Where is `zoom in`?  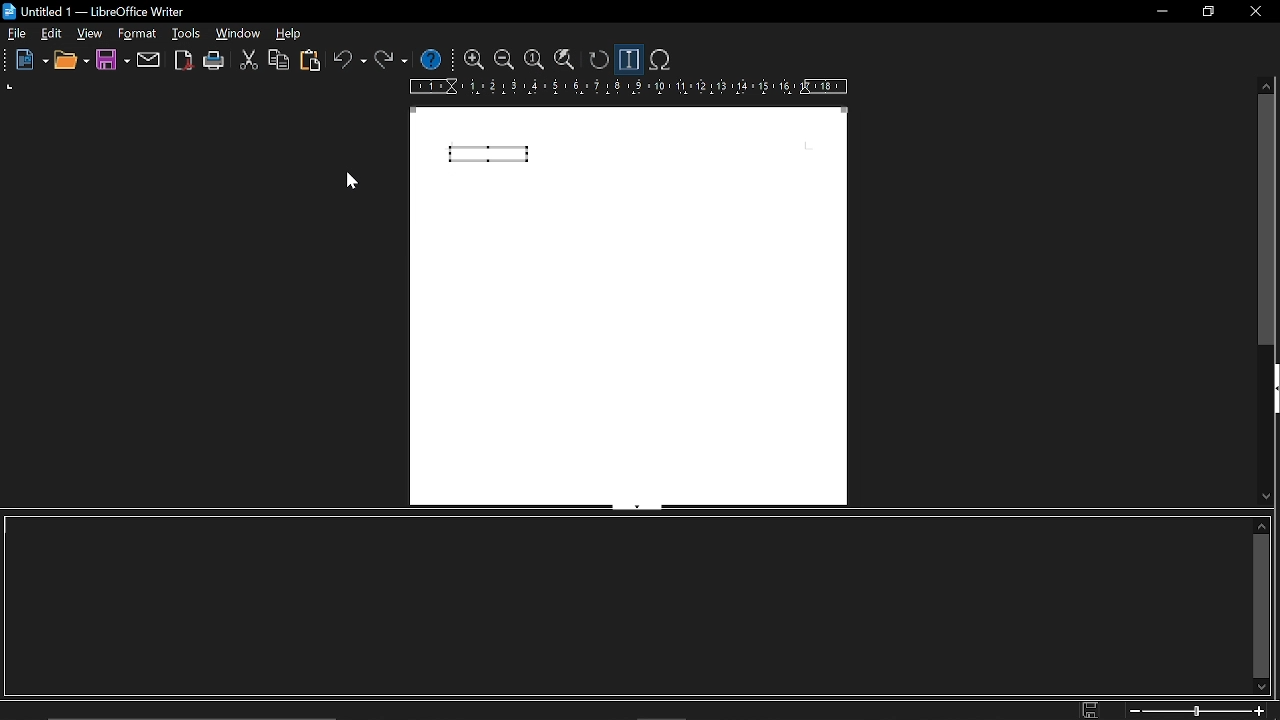
zoom in is located at coordinates (475, 60).